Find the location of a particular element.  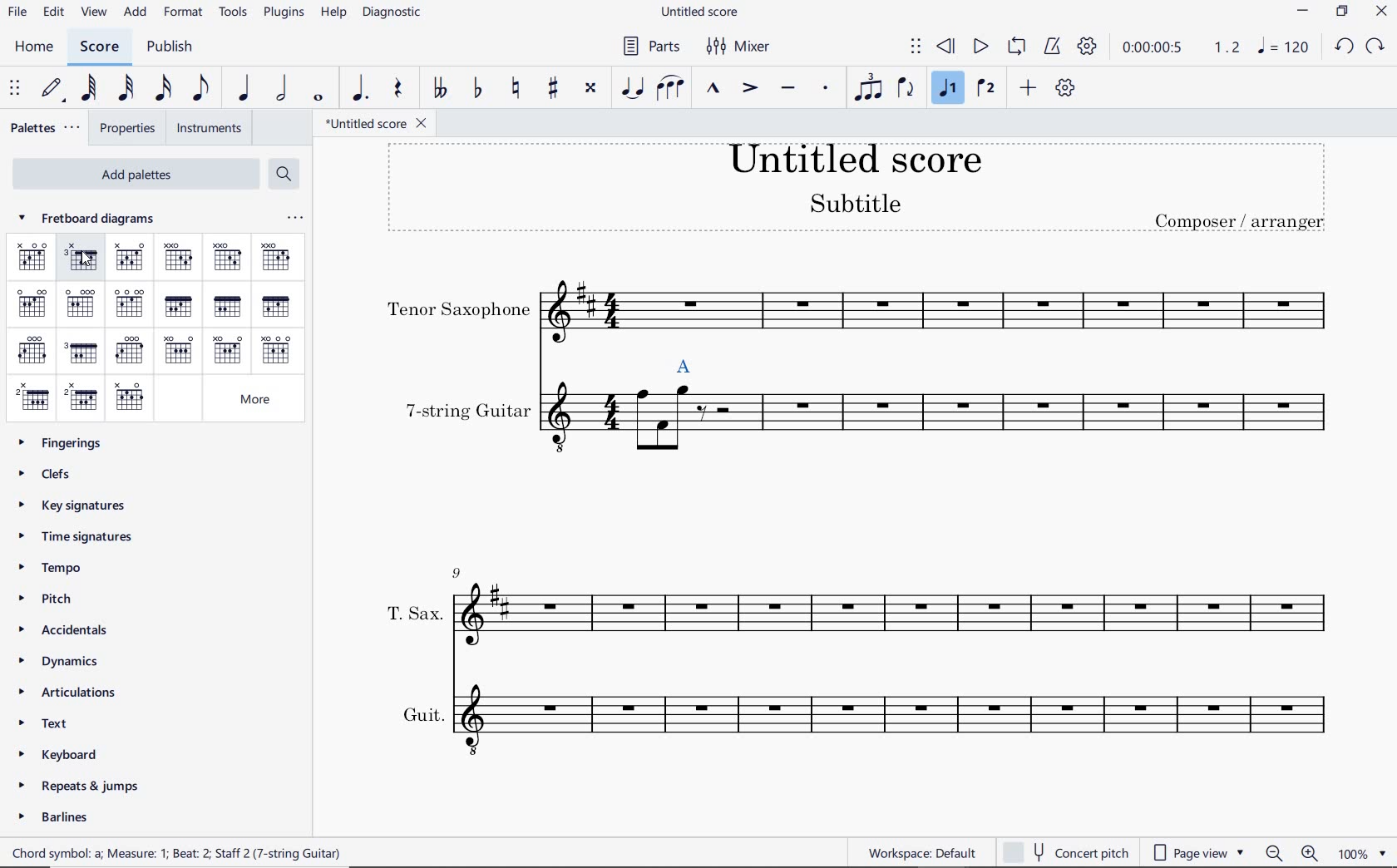

F is located at coordinates (177, 307).